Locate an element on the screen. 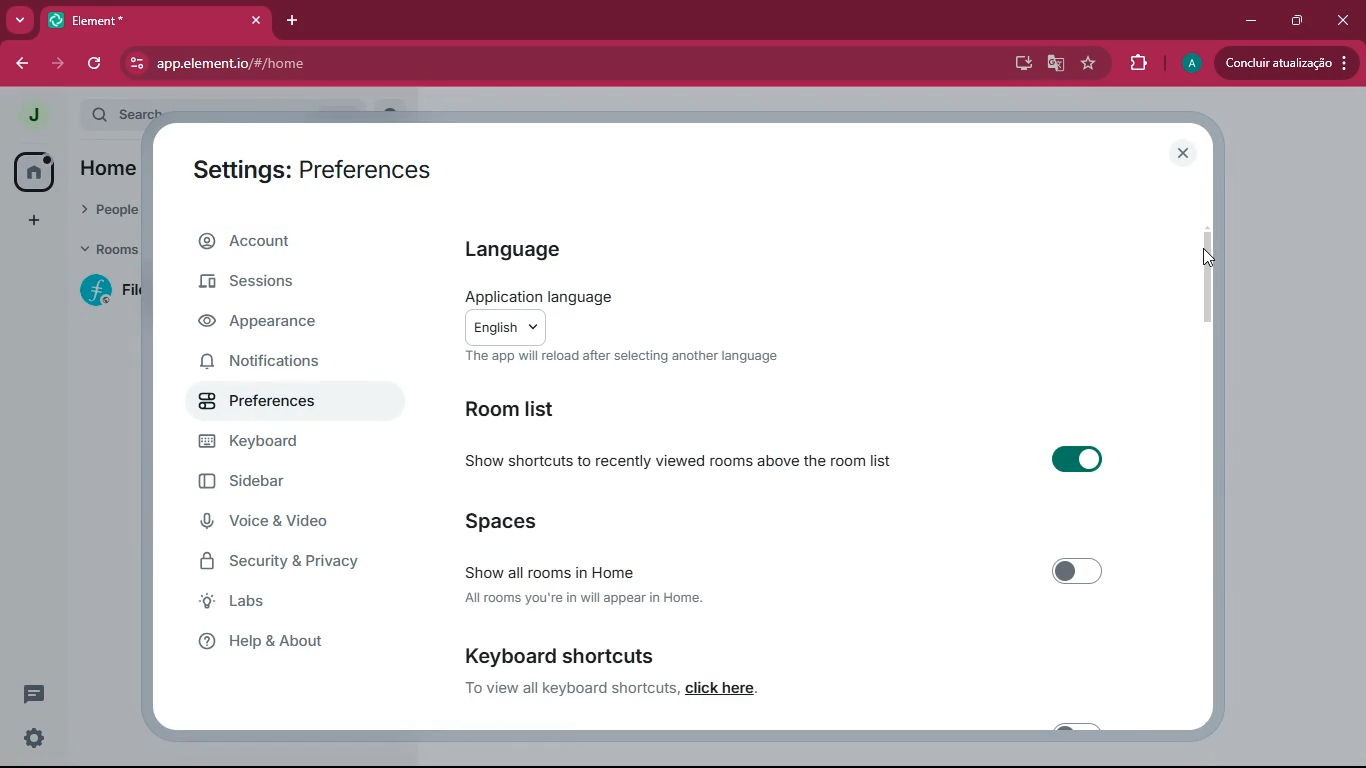  close is located at coordinates (1343, 21).